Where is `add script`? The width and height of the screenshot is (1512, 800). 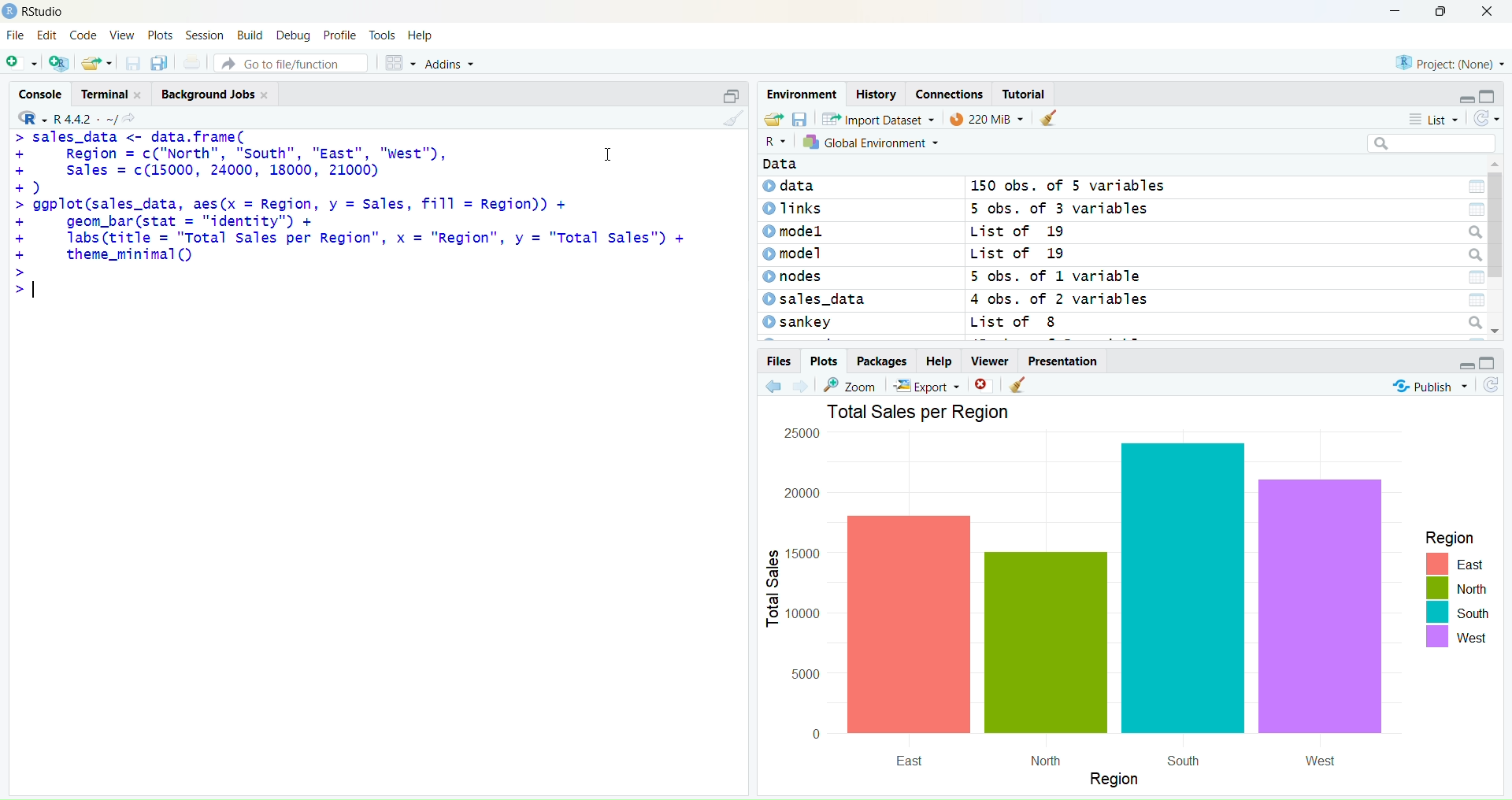
add script is located at coordinates (20, 64).